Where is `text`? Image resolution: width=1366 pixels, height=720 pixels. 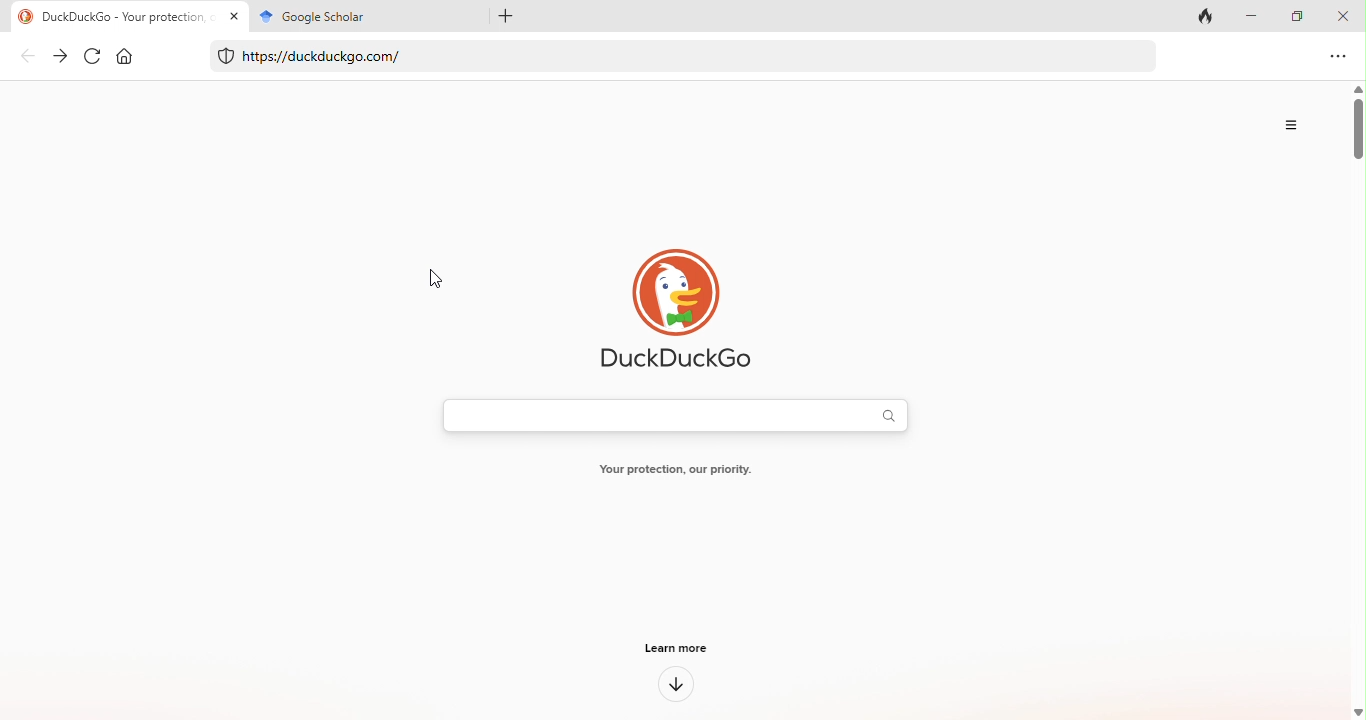 text is located at coordinates (675, 468).